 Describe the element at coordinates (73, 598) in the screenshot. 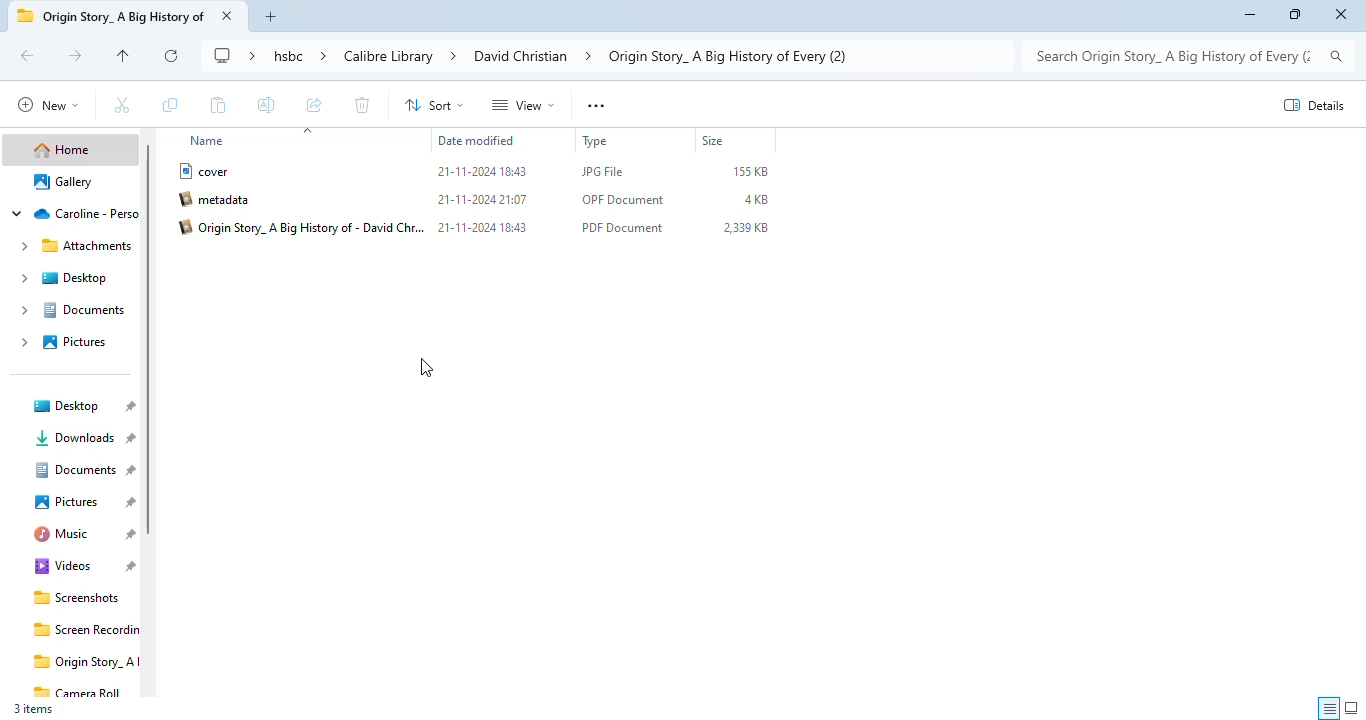

I see `screenshots` at that location.